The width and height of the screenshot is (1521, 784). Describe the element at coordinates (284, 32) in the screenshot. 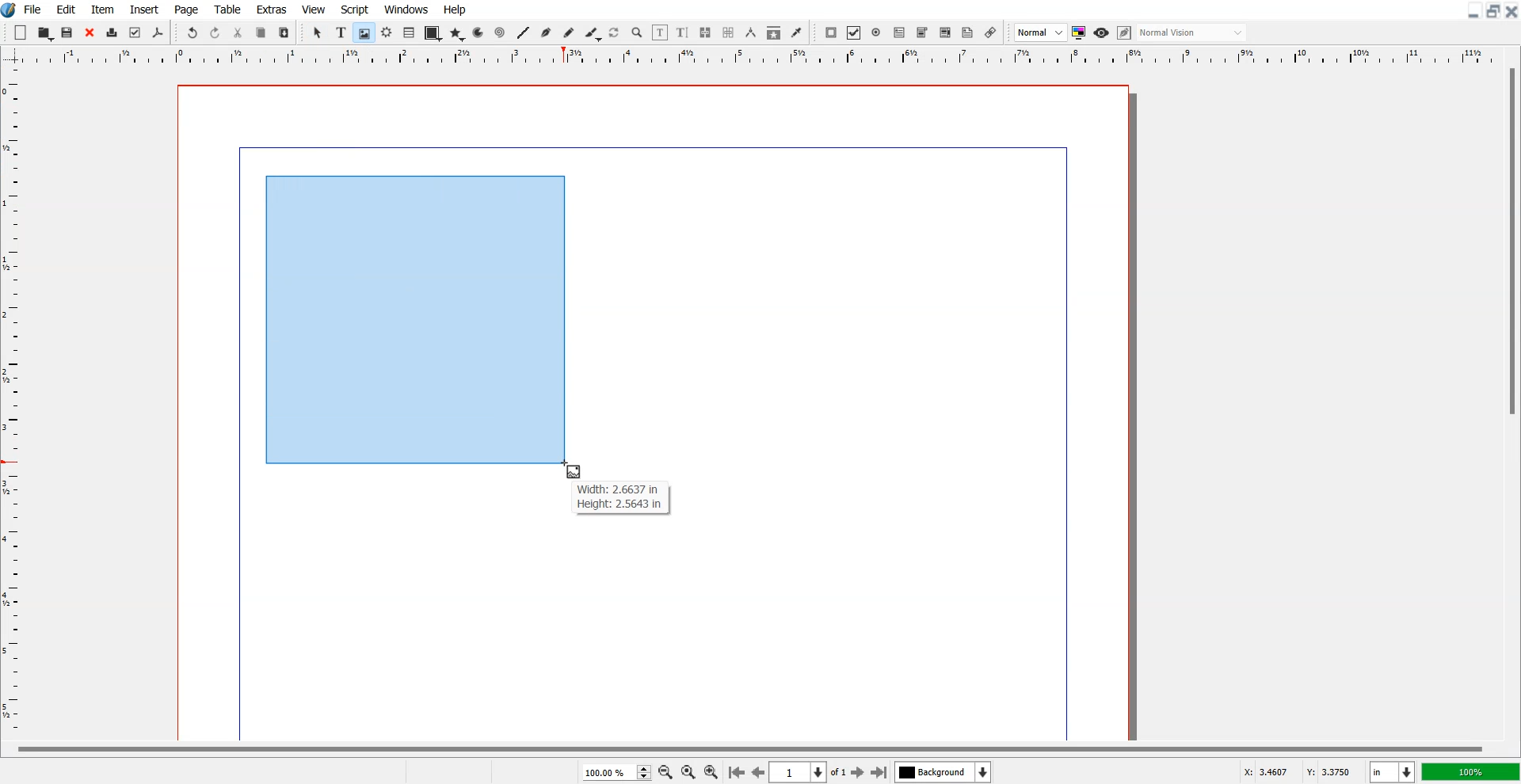

I see `Paste` at that location.